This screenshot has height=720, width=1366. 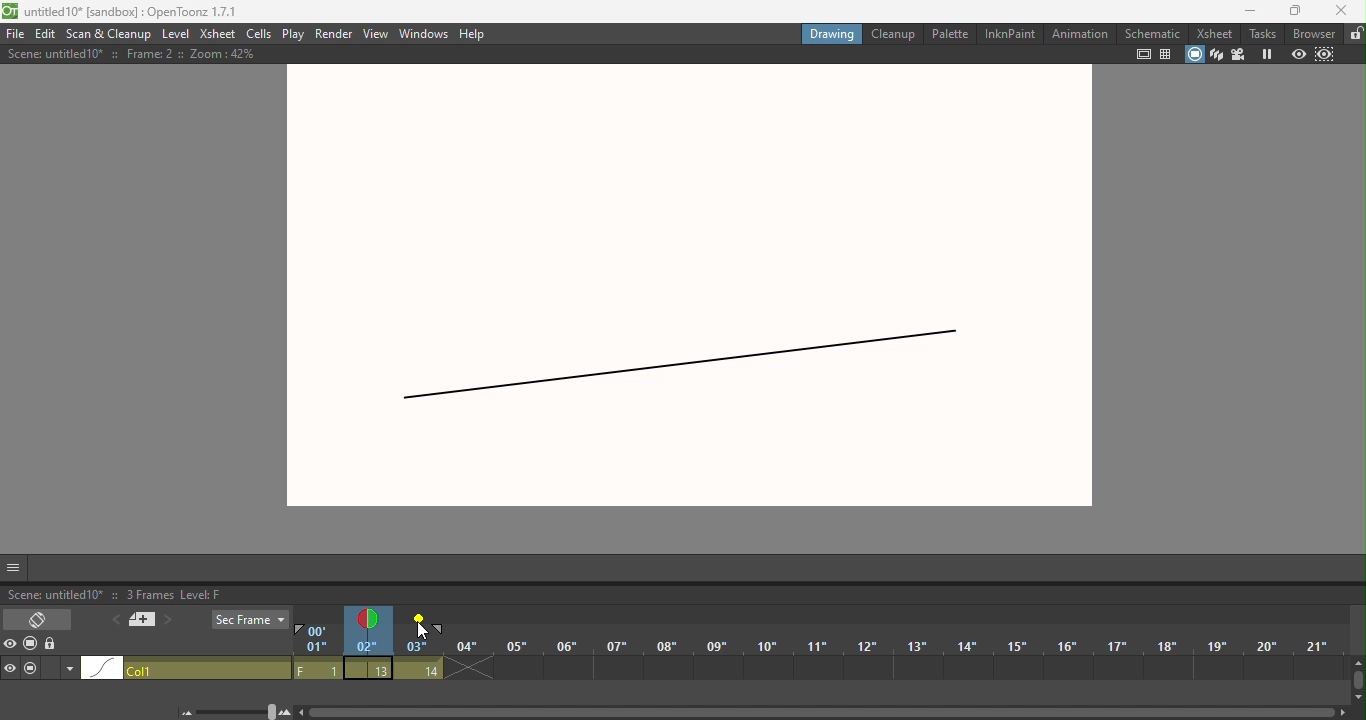 What do you see at coordinates (424, 31) in the screenshot?
I see `Windows` at bounding box center [424, 31].